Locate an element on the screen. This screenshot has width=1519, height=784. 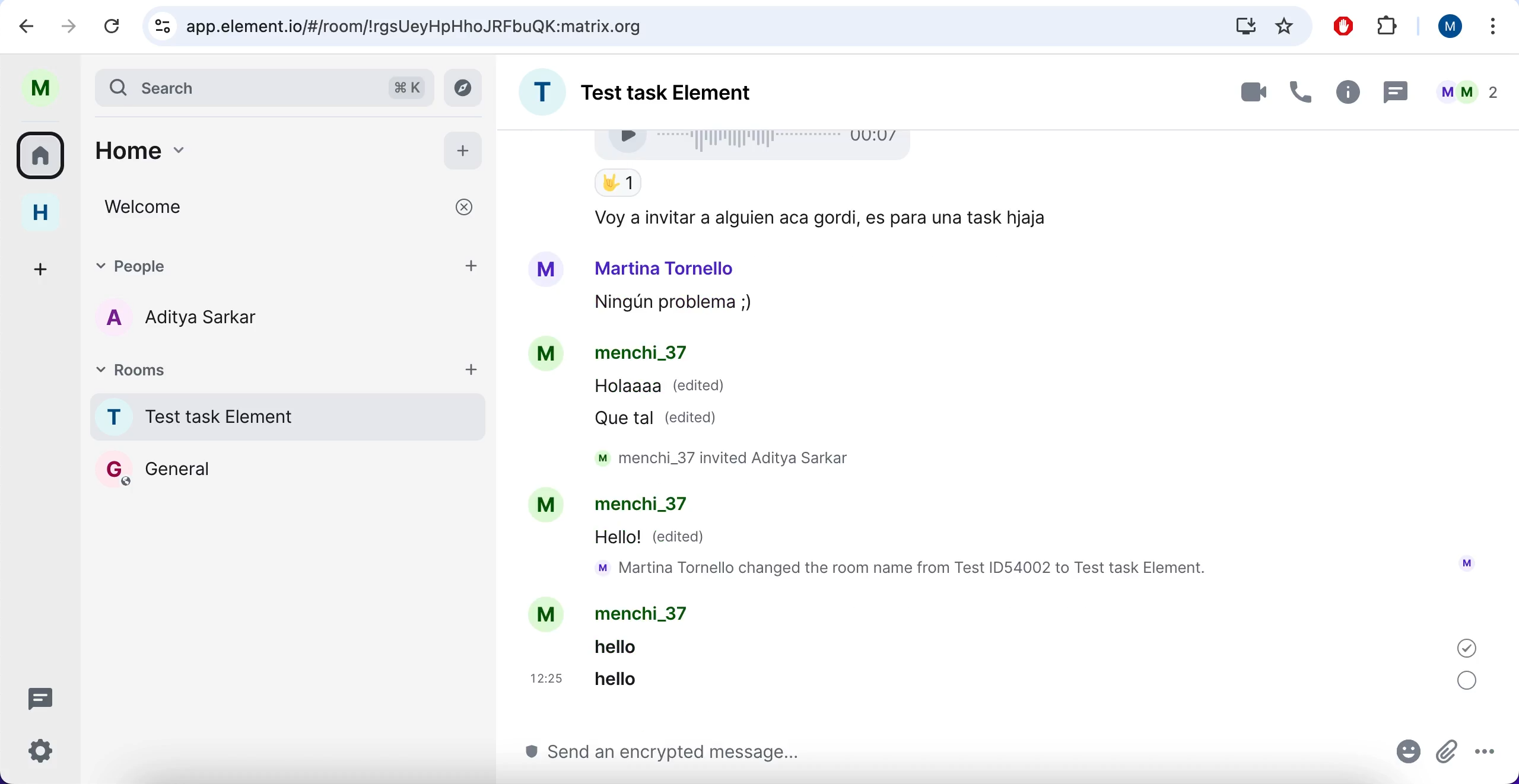
helio is located at coordinates (629, 644).